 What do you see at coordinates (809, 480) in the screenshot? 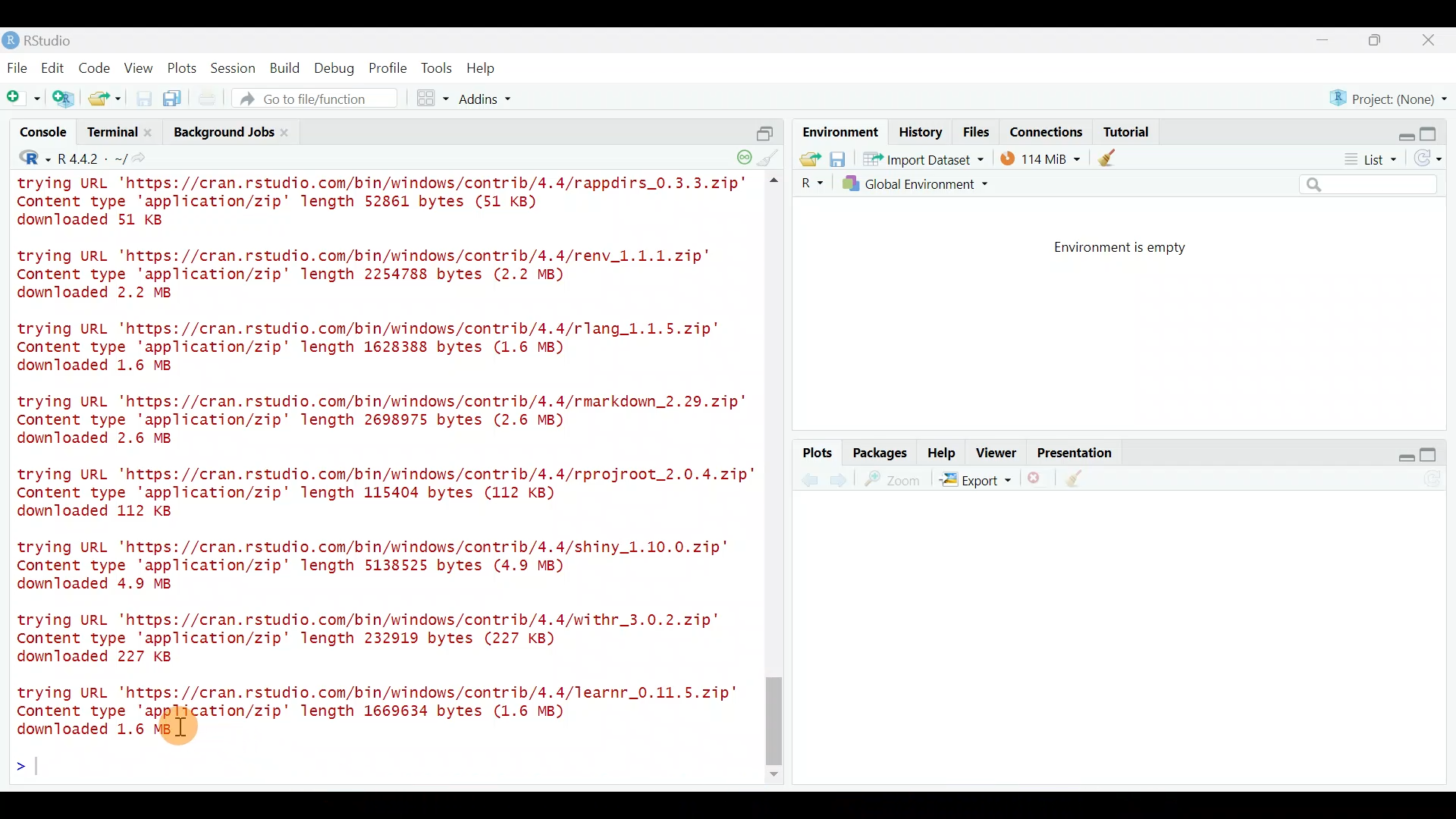
I see `next plot` at bounding box center [809, 480].